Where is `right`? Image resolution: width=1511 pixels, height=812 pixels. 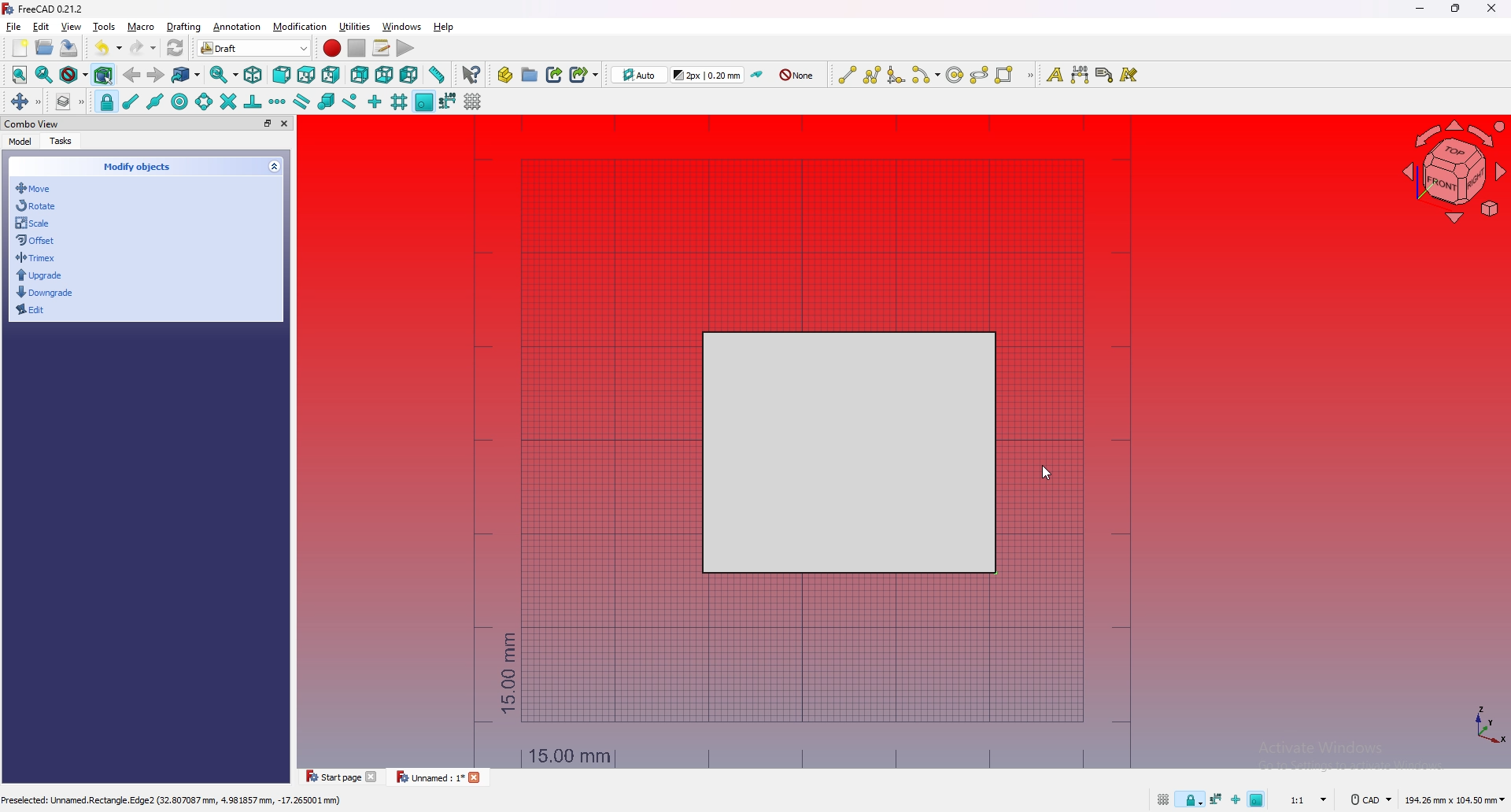
right is located at coordinates (331, 76).